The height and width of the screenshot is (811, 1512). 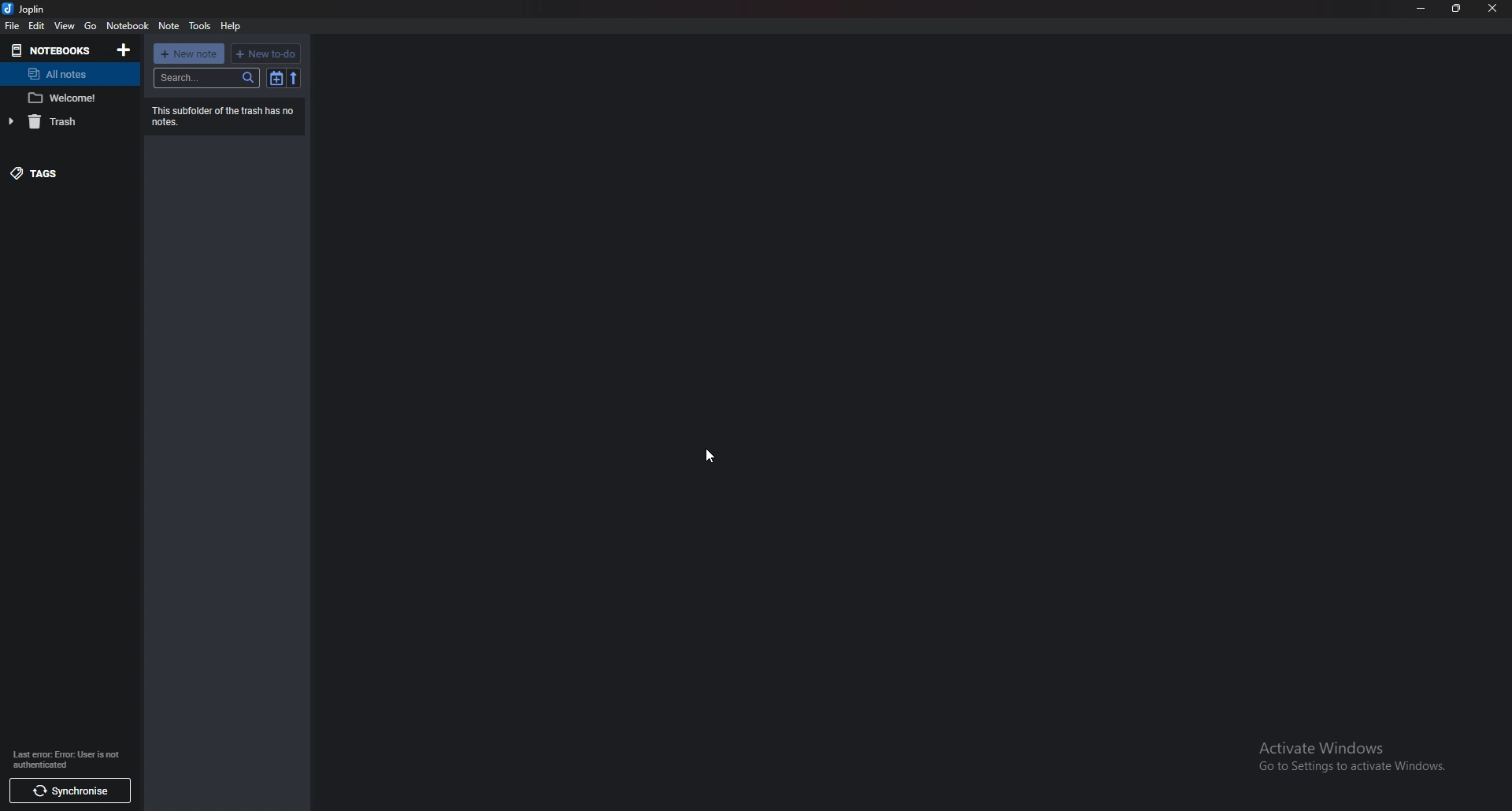 What do you see at coordinates (267, 53) in the screenshot?
I see `New to do` at bounding box center [267, 53].